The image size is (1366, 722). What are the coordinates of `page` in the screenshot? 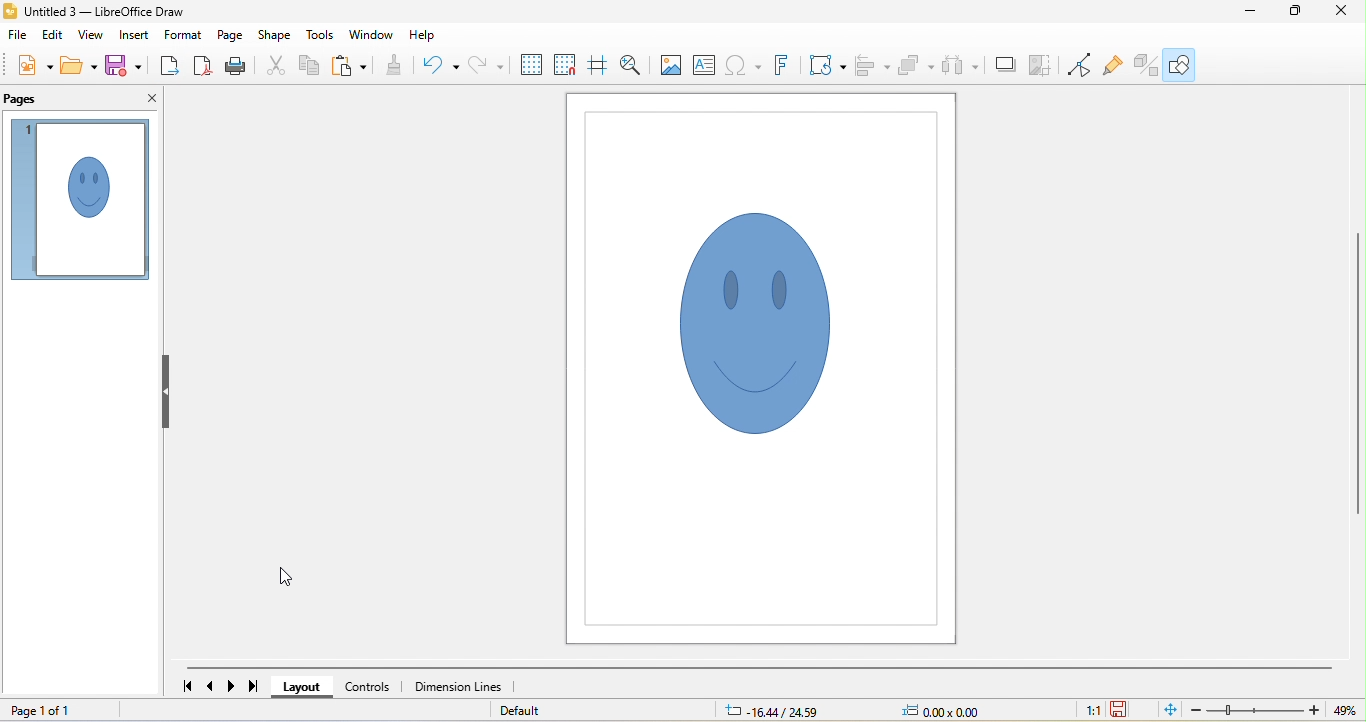 It's located at (228, 35).